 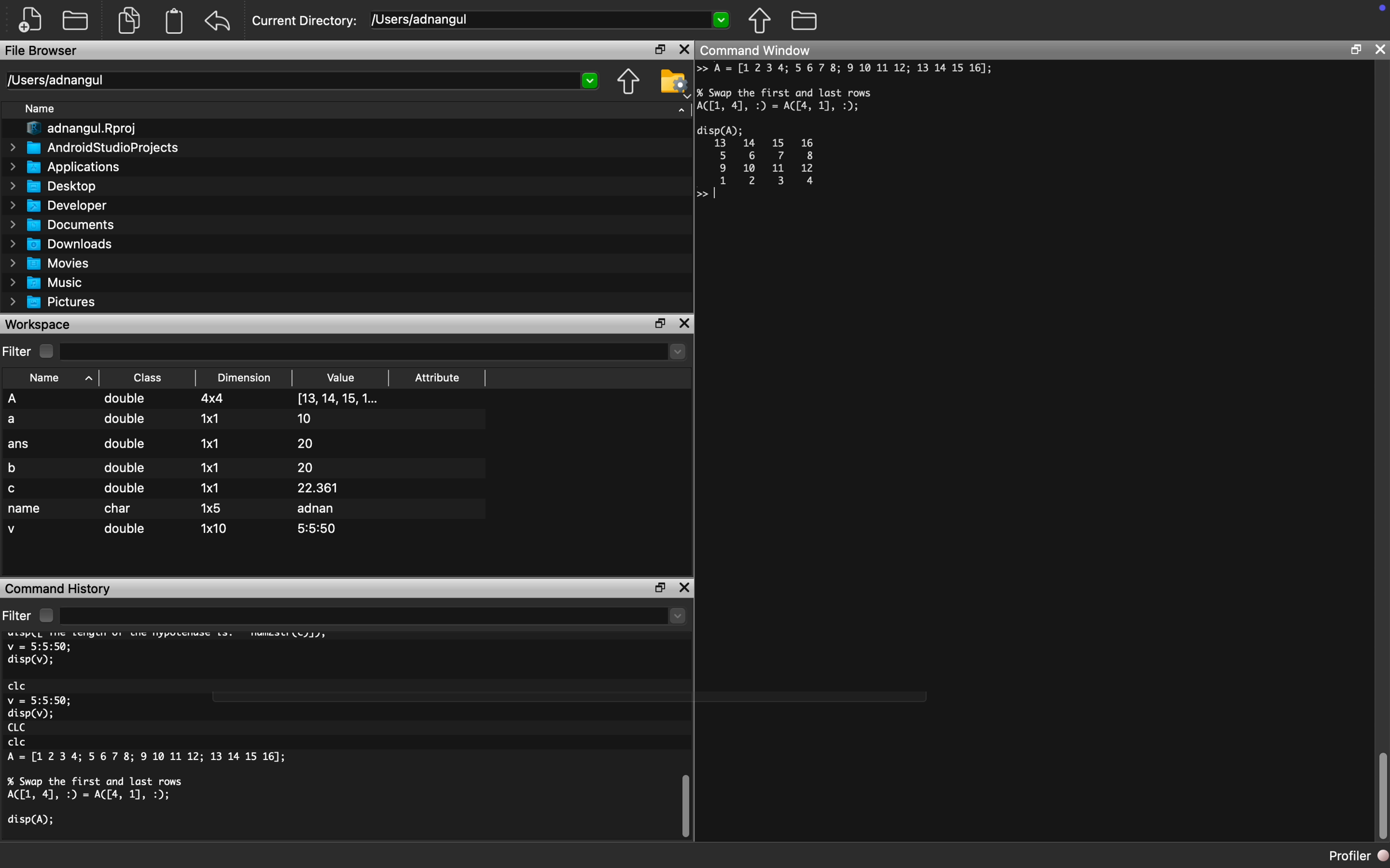 What do you see at coordinates (222, 18) in the screenshot?
I see `Undo` at bounding box center [222, 18].